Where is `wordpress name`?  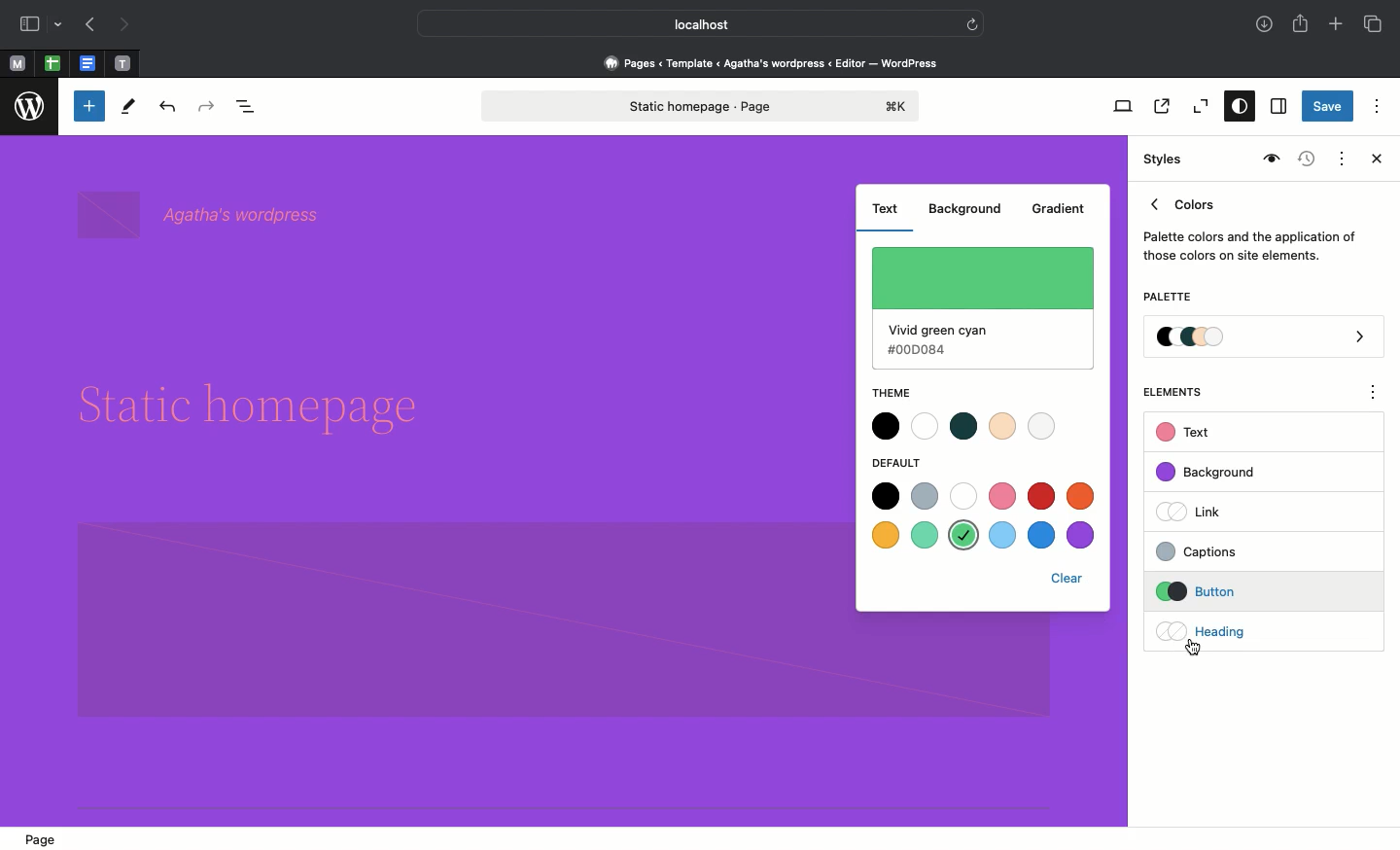
wordpress name is located at coordinates (204, 214).